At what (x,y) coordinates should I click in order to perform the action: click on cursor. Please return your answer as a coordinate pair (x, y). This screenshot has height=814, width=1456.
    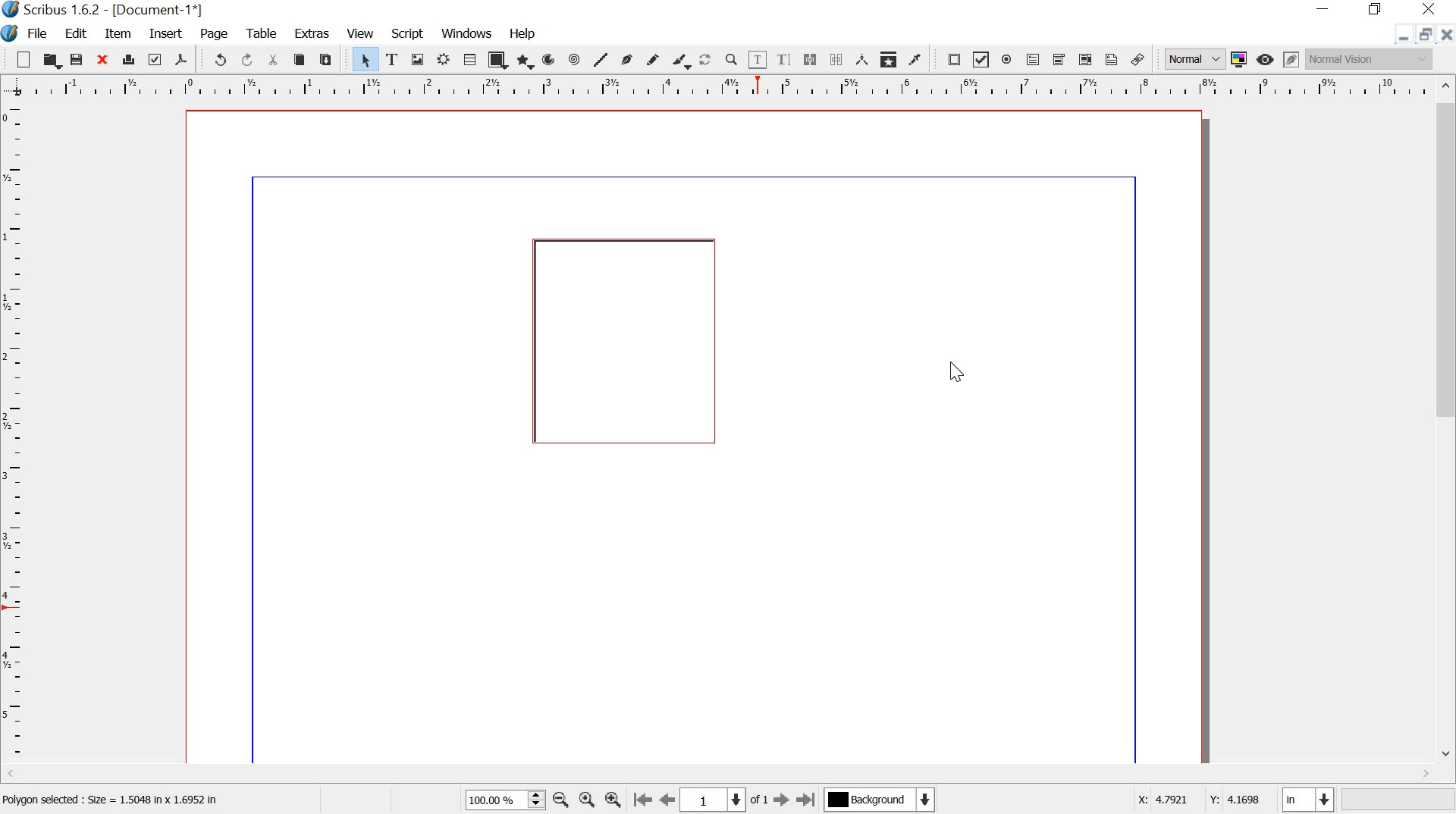
    Looking at the image, I should click on (961, 375).